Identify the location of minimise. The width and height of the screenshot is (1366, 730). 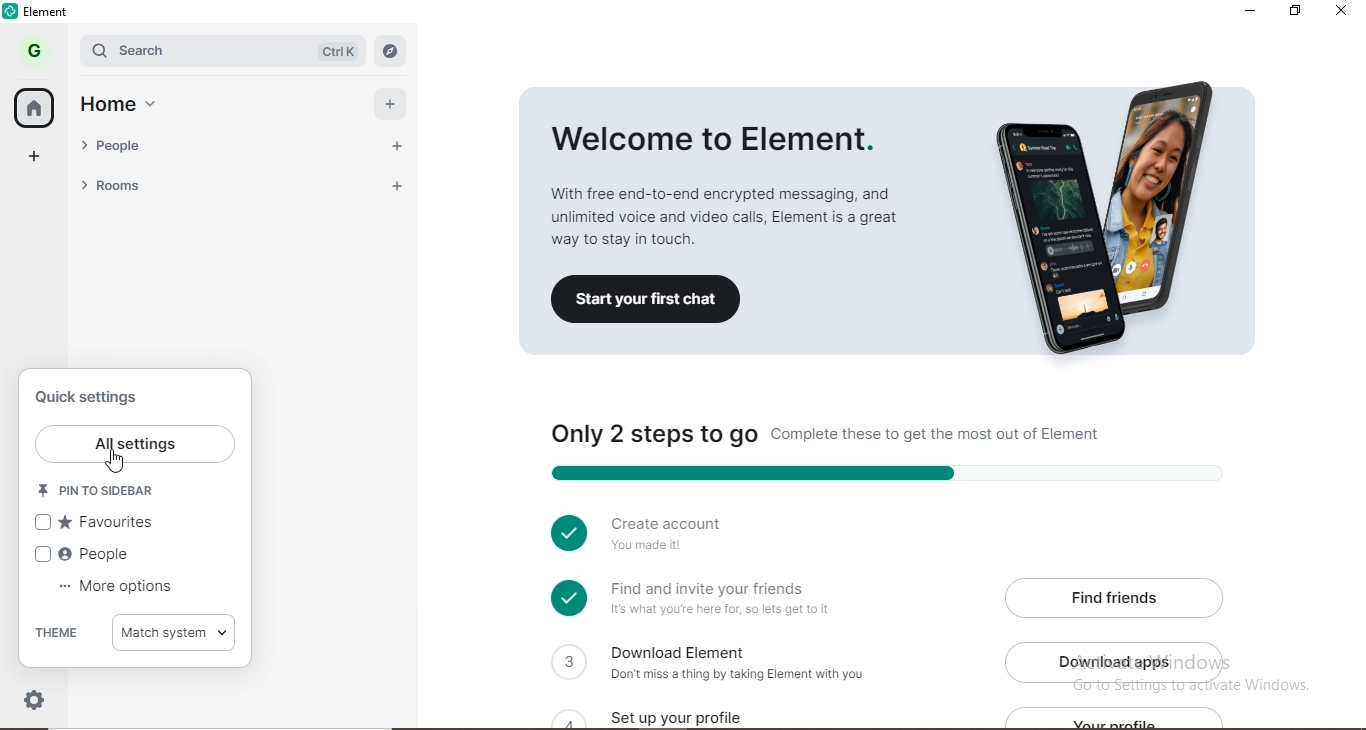
(1249, 10).